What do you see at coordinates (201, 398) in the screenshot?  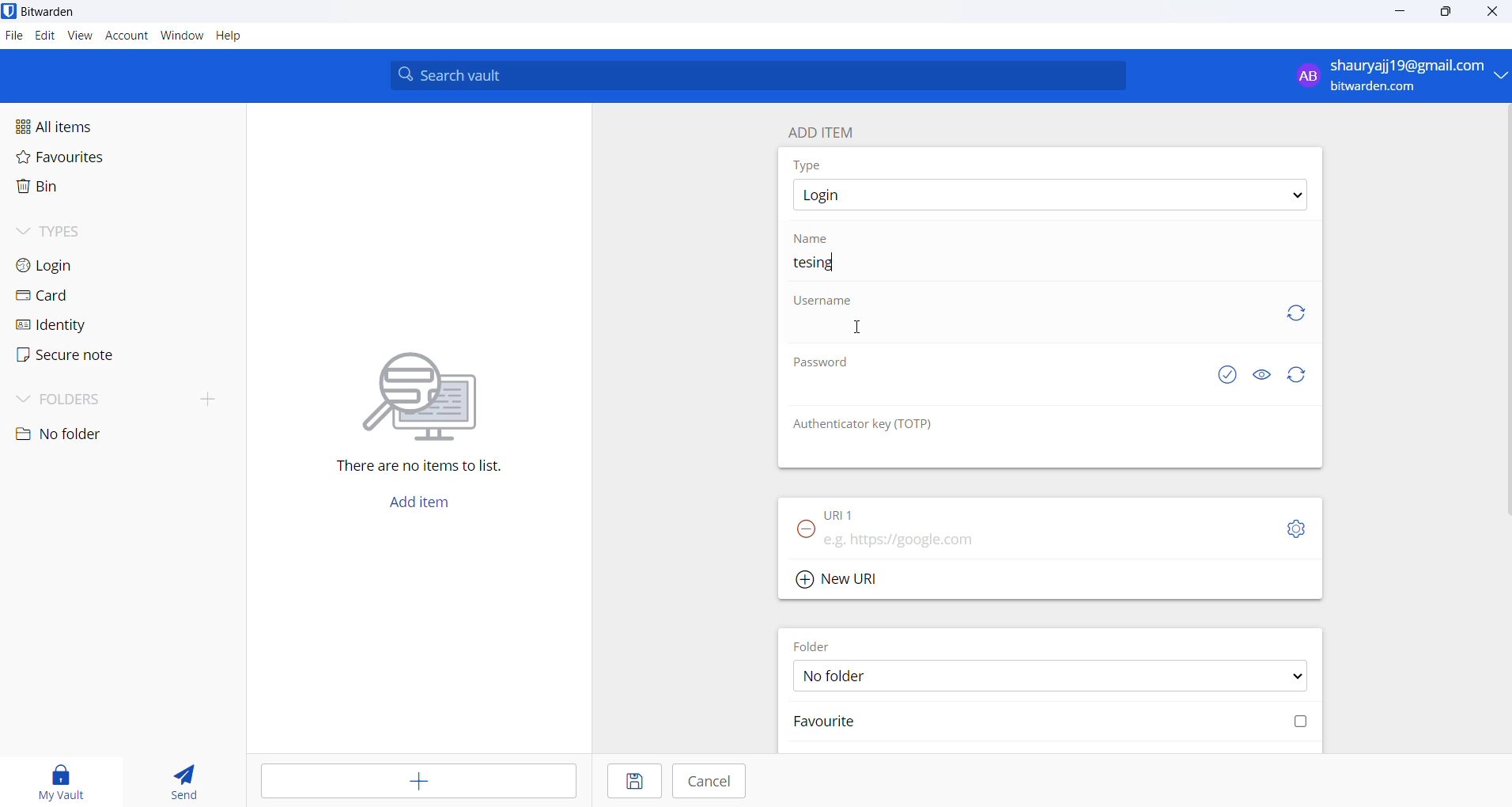 I see `add folder` at bounding box center [201, 398].